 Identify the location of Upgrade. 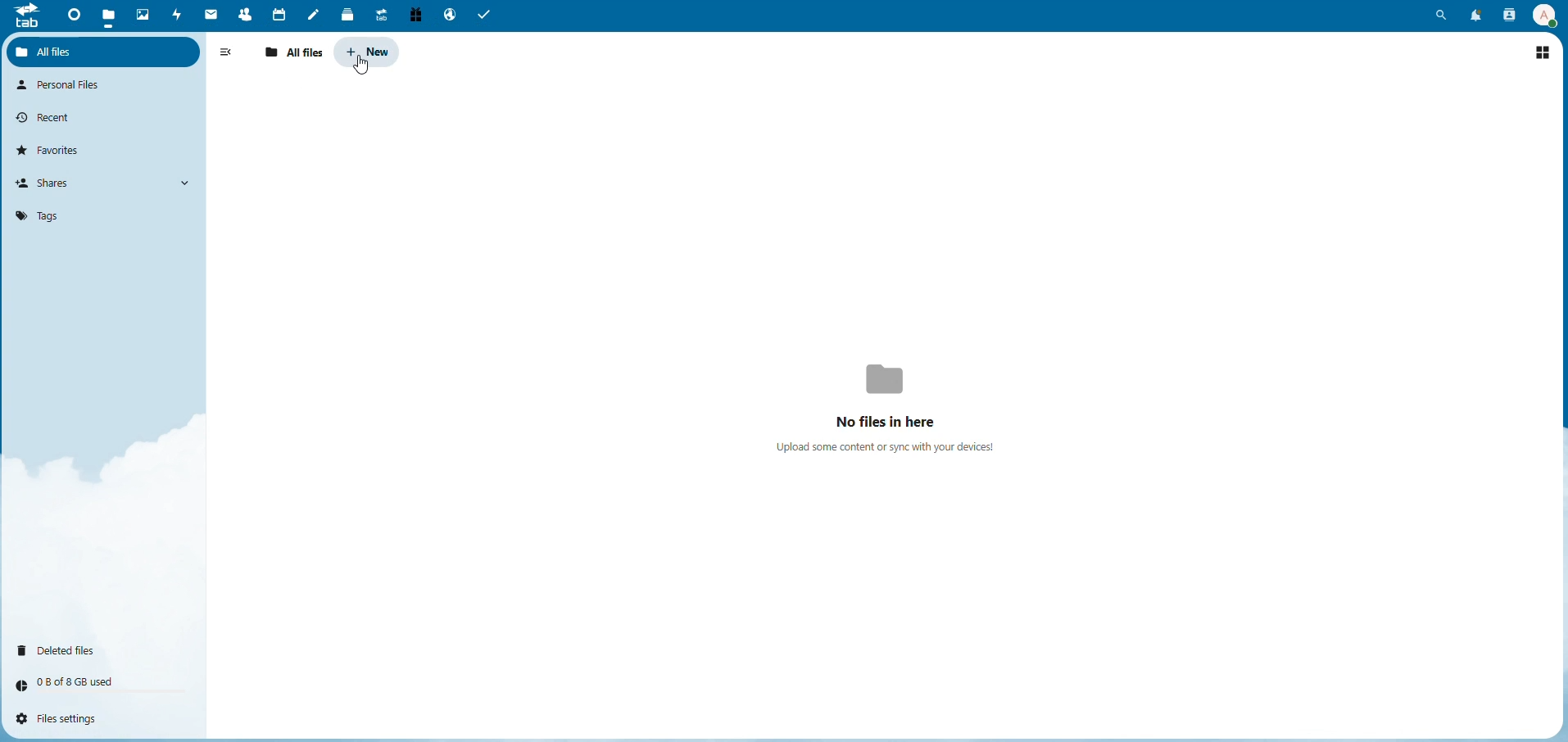
(380, 15).